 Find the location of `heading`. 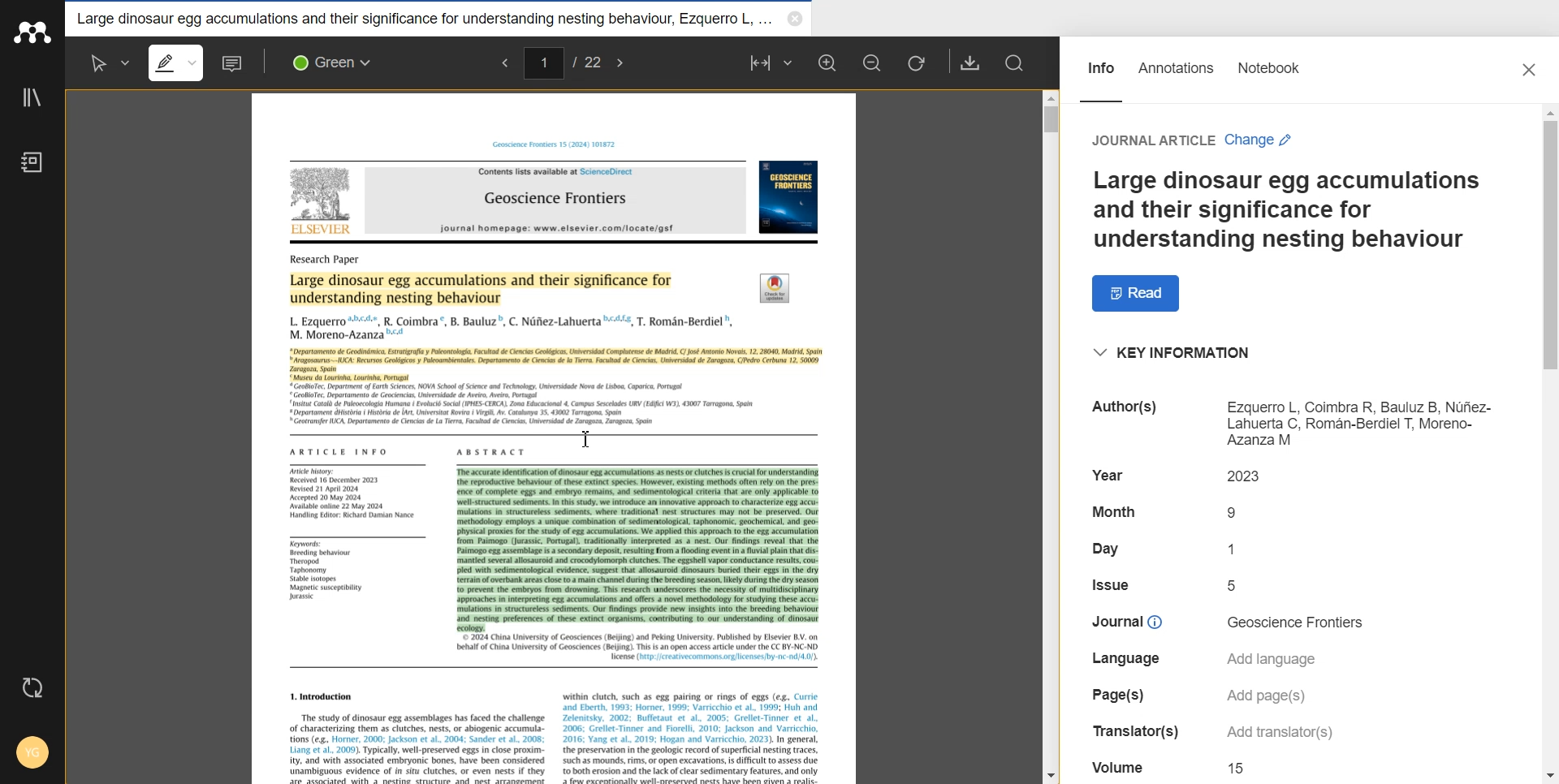

heading is located at coordinates (328, 260).